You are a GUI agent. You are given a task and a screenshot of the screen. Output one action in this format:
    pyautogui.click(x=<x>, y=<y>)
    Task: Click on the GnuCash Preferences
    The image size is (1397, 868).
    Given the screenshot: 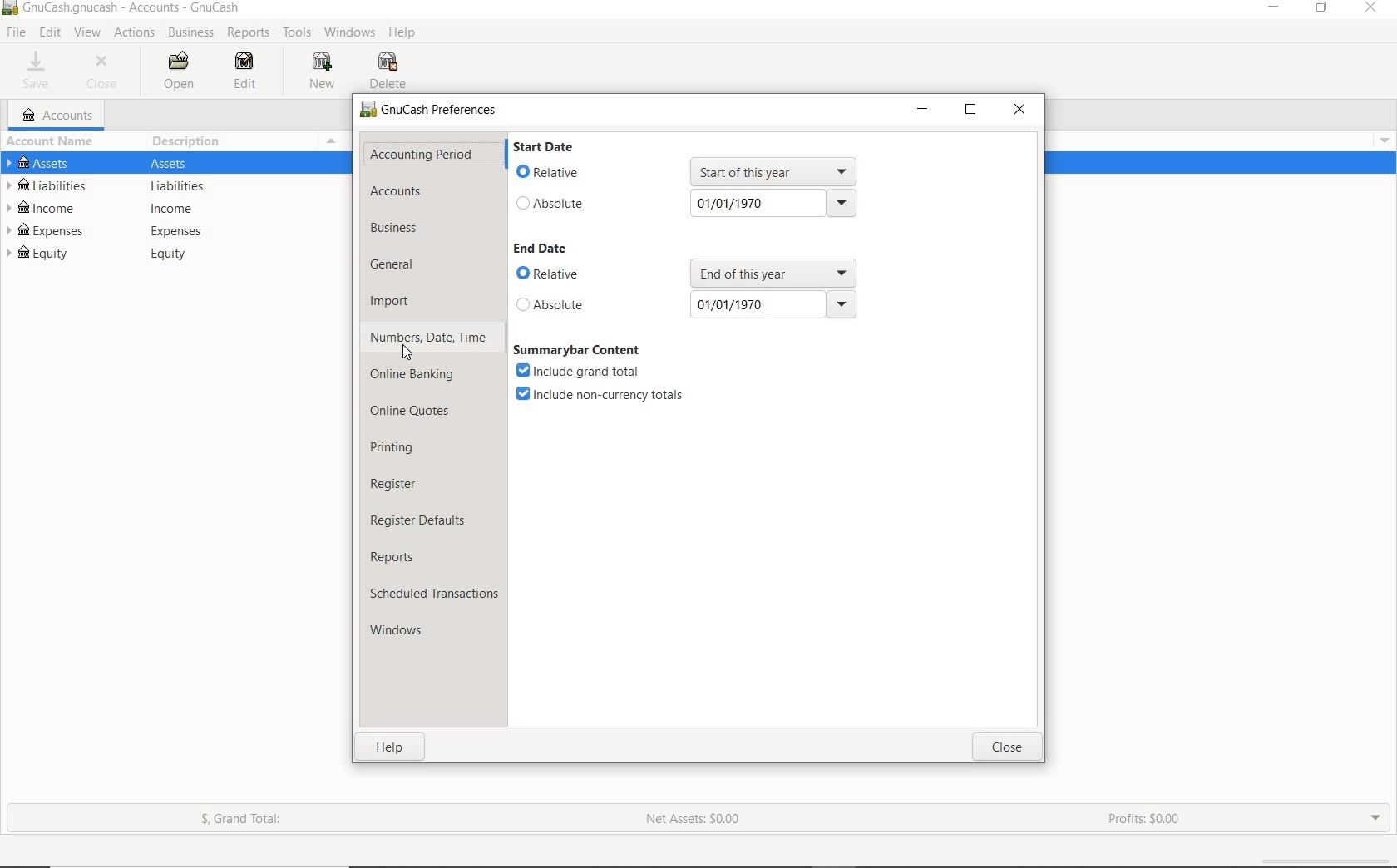 What is the action you would take?
    pyautogui.click(x=429, y=111)
    